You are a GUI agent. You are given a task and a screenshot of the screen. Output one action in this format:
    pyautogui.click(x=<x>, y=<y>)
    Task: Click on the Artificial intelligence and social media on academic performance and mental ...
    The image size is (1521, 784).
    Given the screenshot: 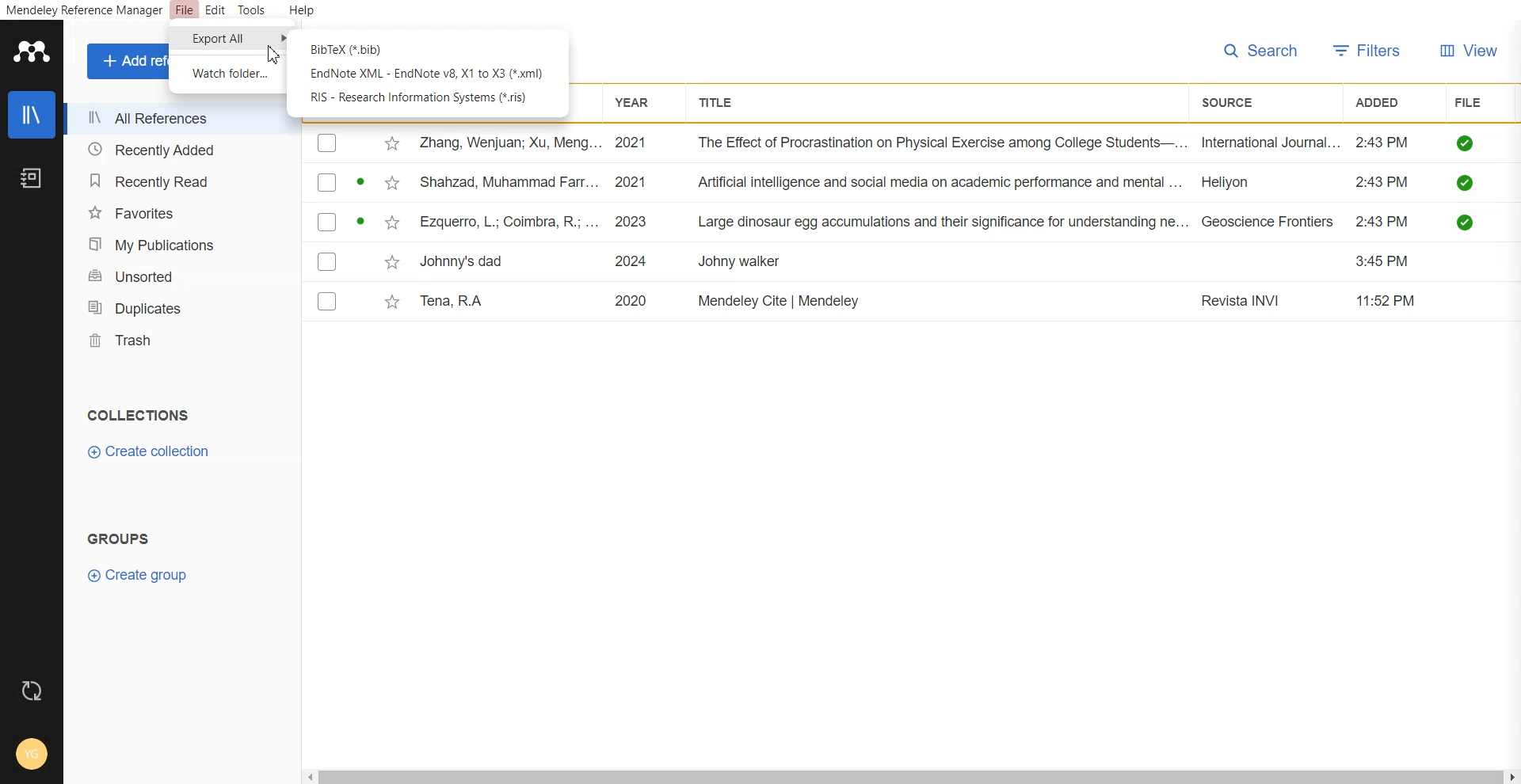 What is the action you would take?
    pyautogui.click(x=941, y=183)
    